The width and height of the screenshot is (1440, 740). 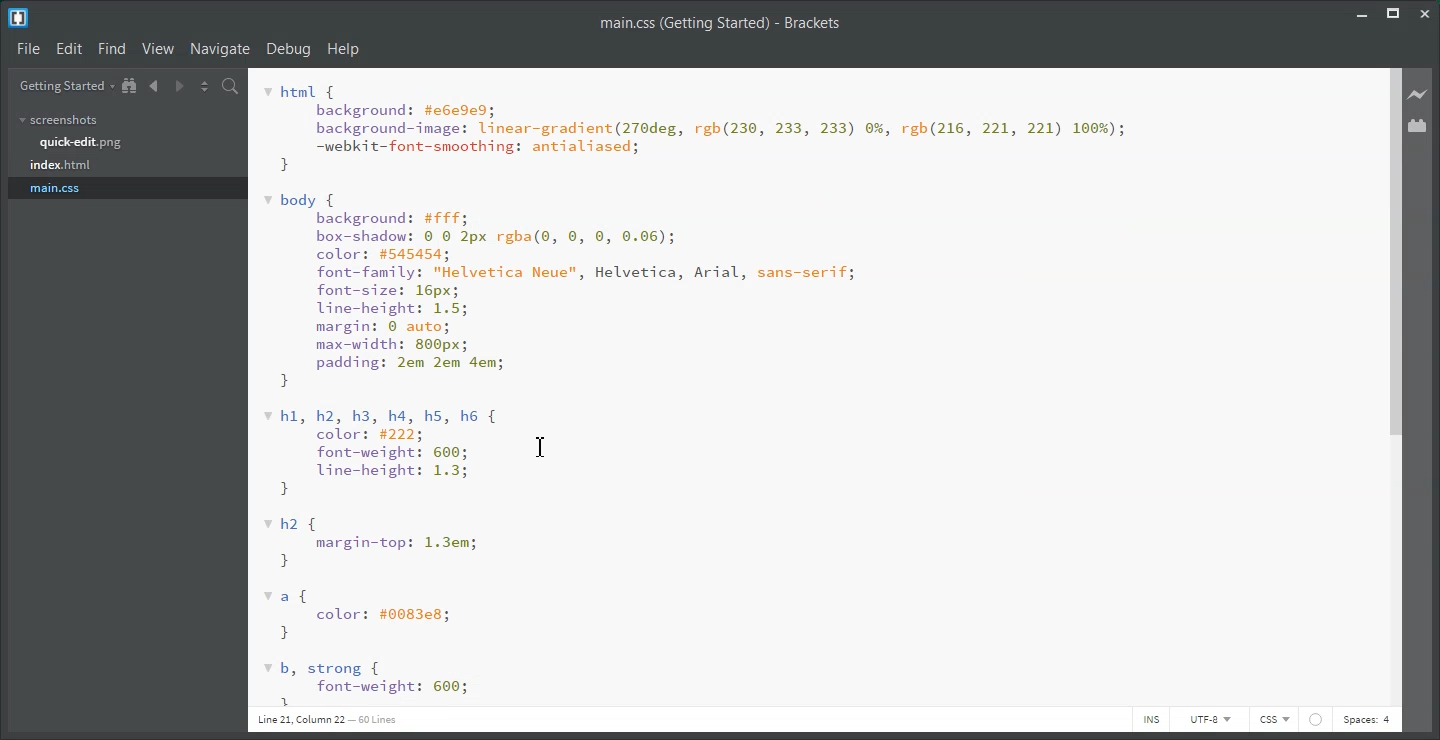 I want to click on Split editor vertically or Horizontally, so click(x=203, y=86).